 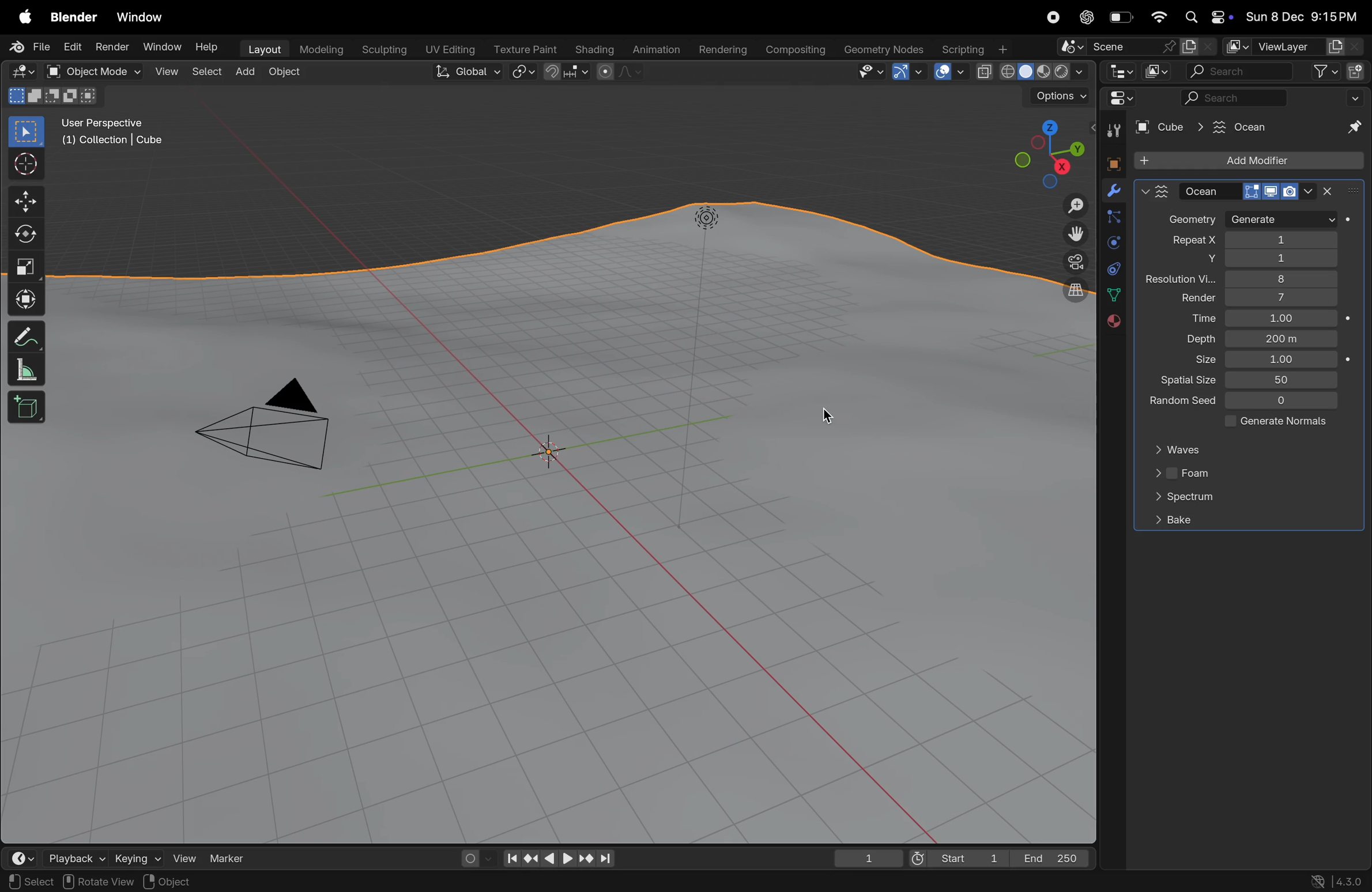 I want to click on spectrum, so click(x=1183, y=499).